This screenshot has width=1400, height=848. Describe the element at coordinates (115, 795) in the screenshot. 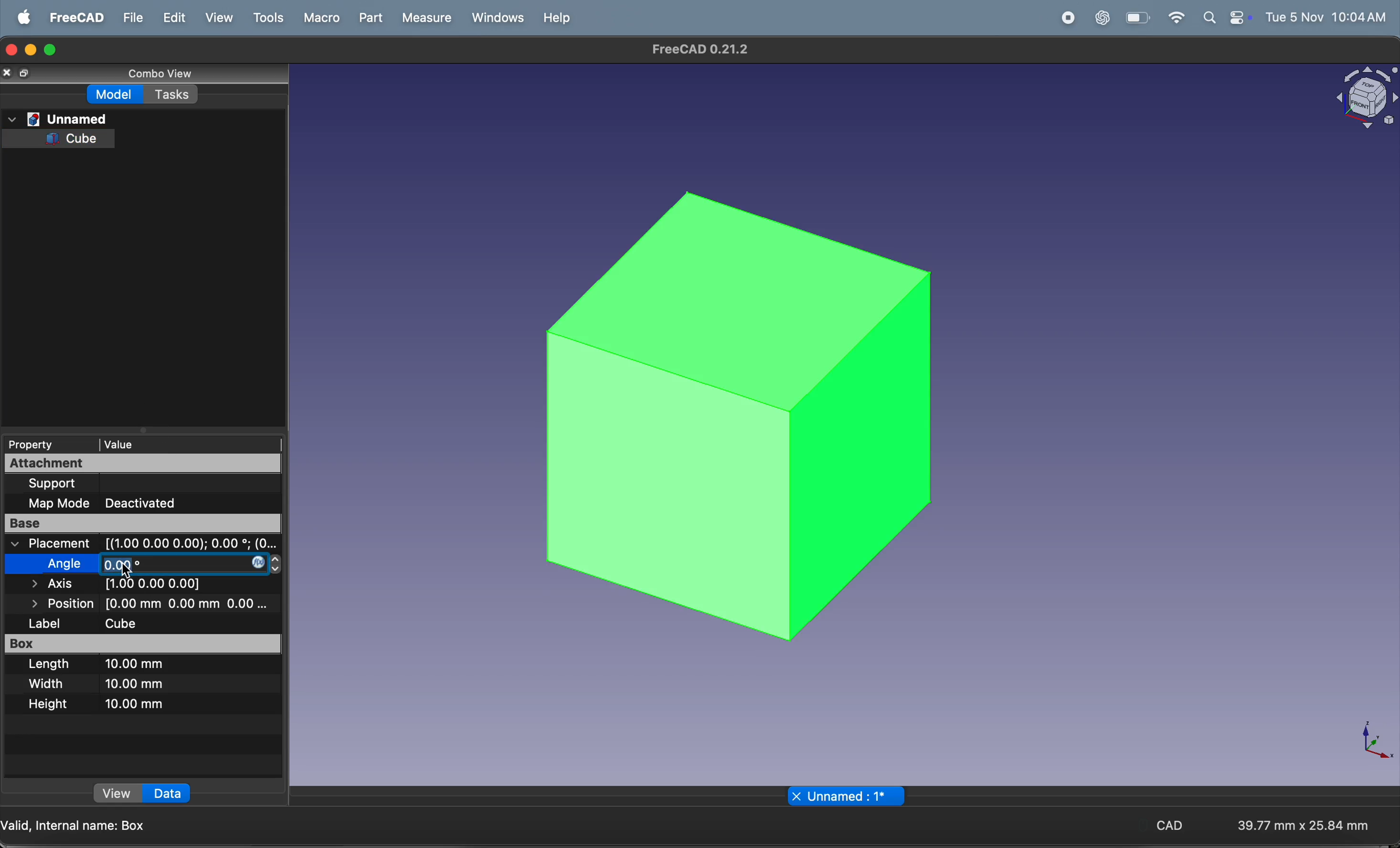

I see `view` at that location.